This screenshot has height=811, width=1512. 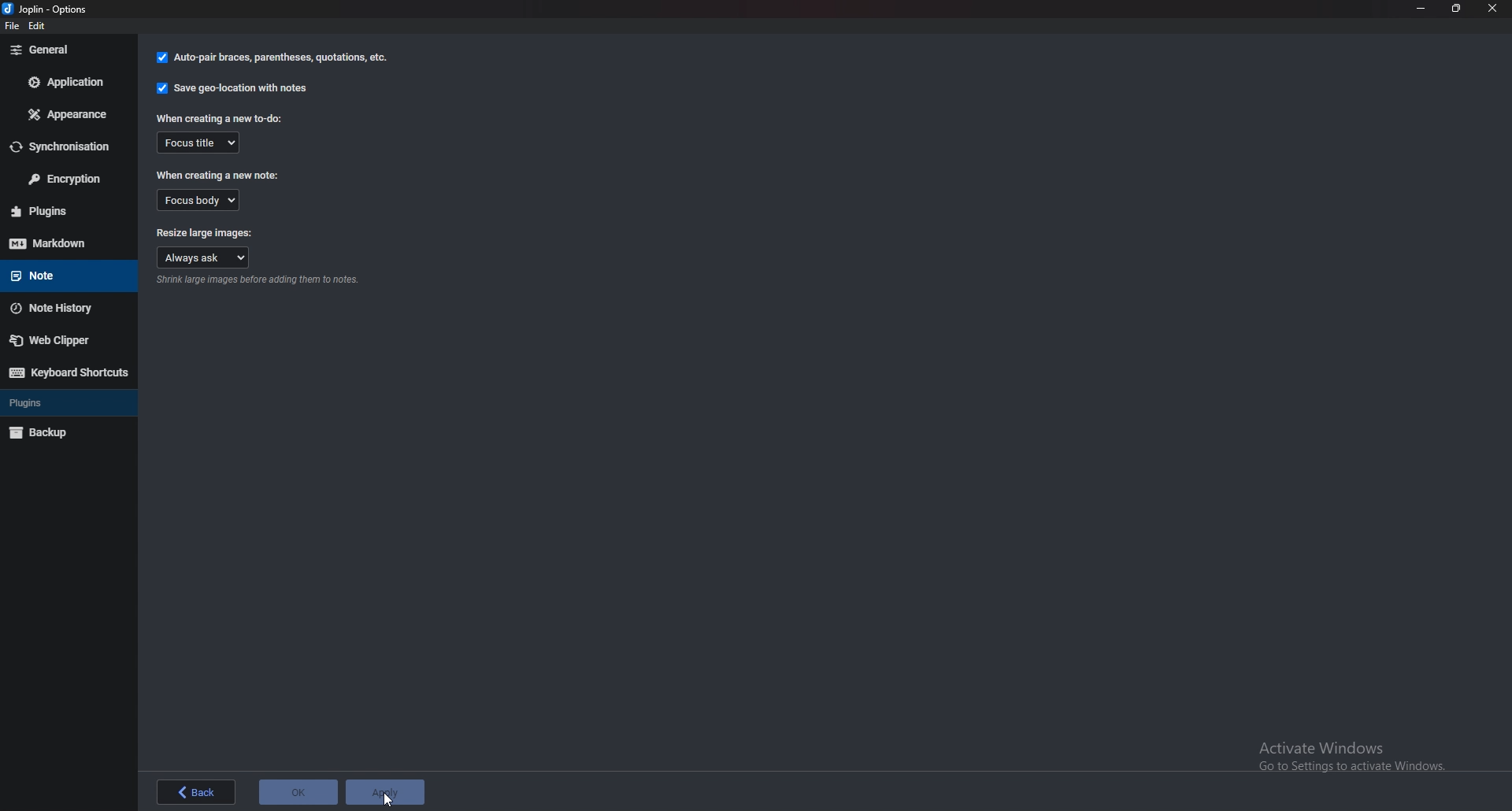 What do you see at coordinates (1457, 9) in the screenshot?
I see `Resize` at bounding box center [1457, 9].